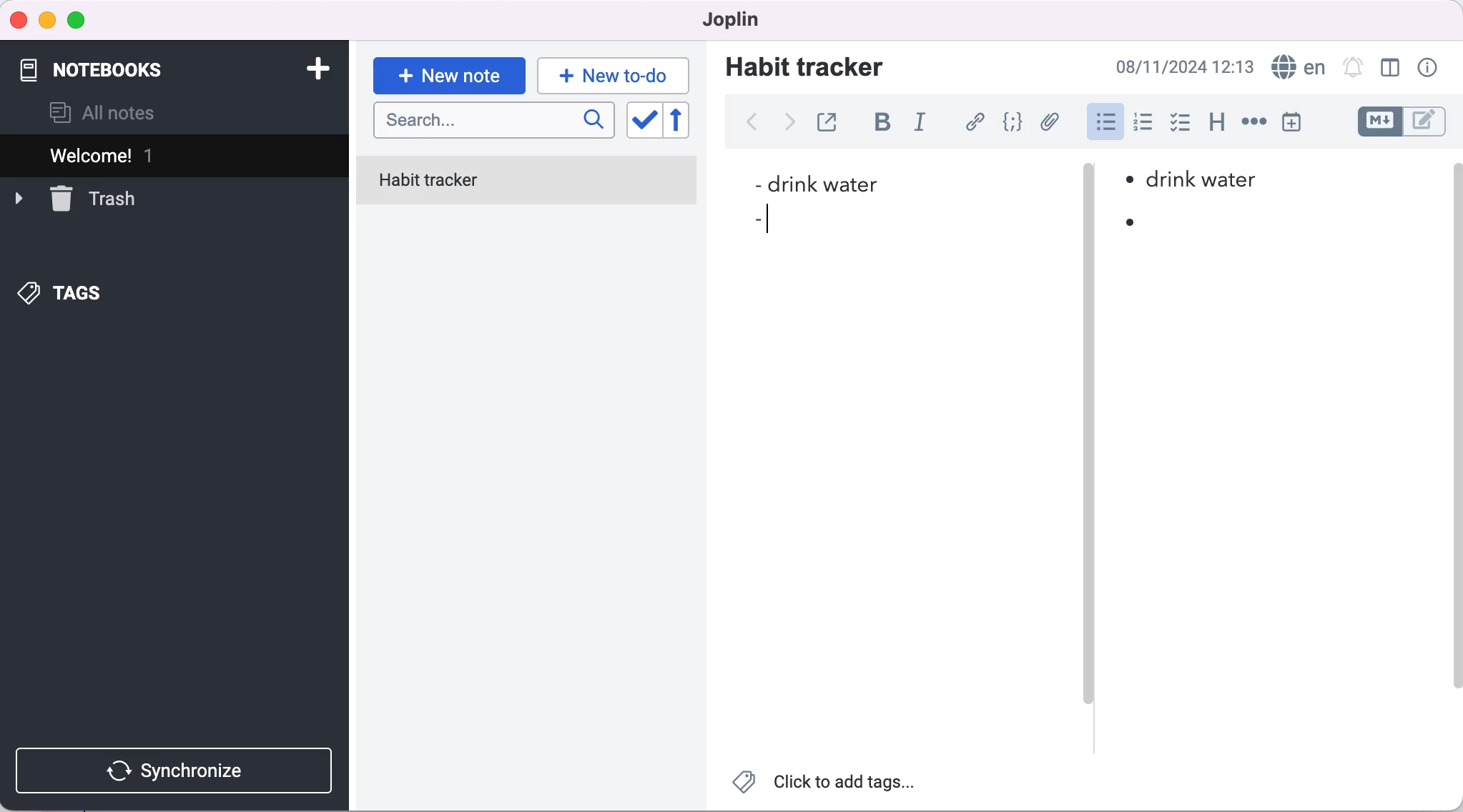 This screenshot has width=1463, height=812. Describe the element at coordinates (1352, 66) in the screenshot. I see `set alarm` at that location.